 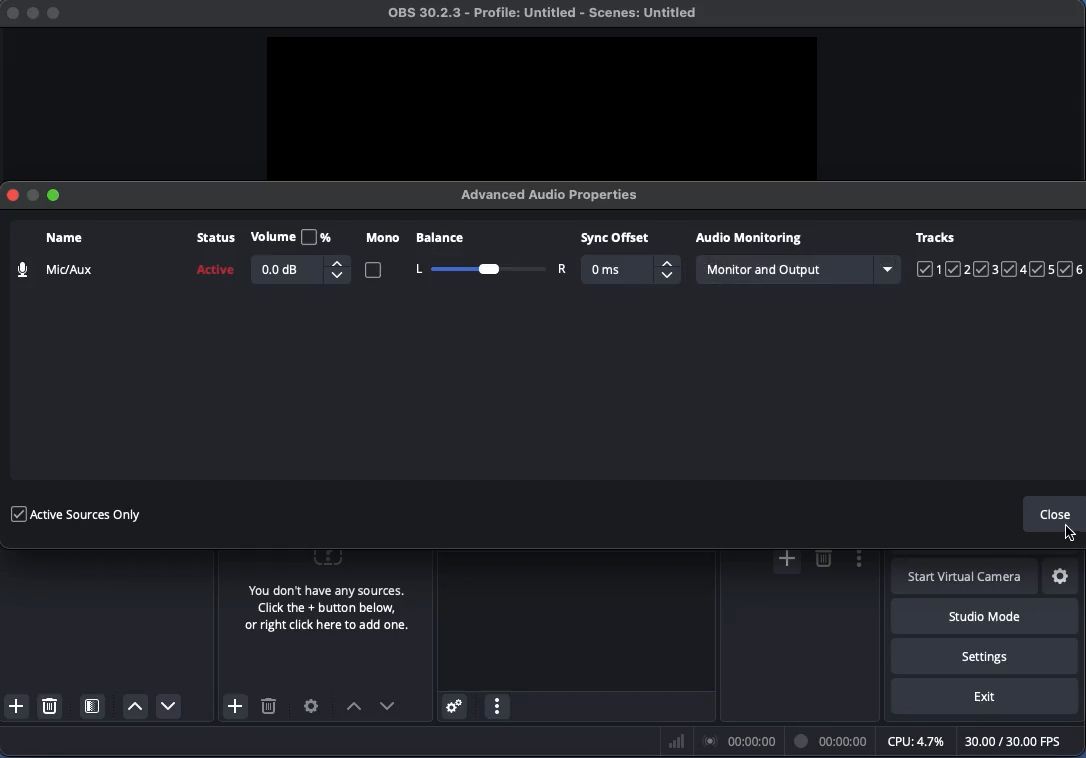 What do you see at coordinates (1068, 532) in the screenshot?
I see `cursor` at bounding box center [1068, 532].